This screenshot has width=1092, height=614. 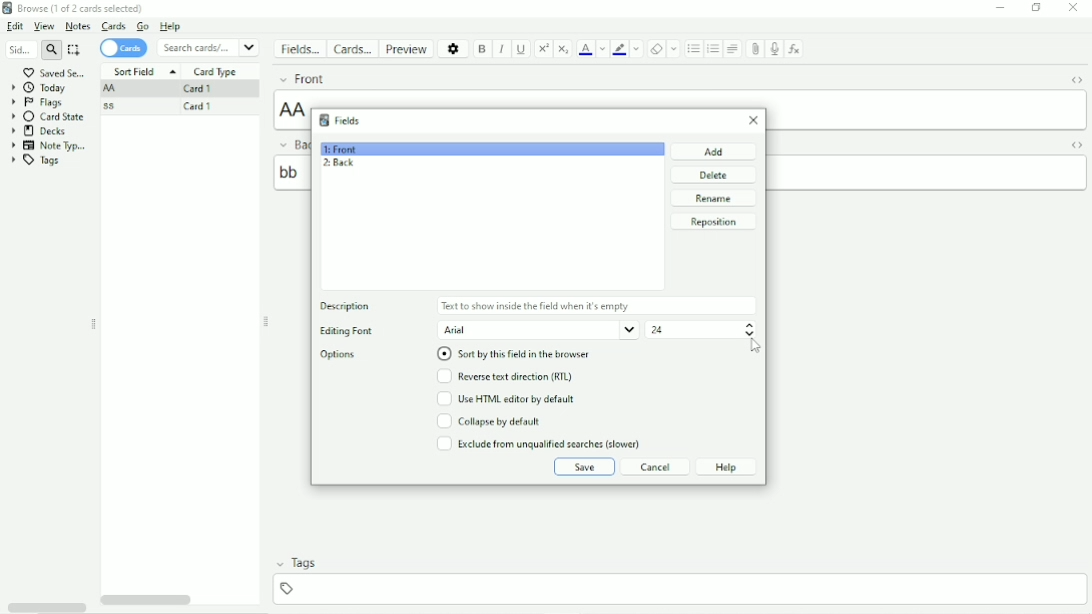 I want to click on Decks, so click(x=44, y=131).